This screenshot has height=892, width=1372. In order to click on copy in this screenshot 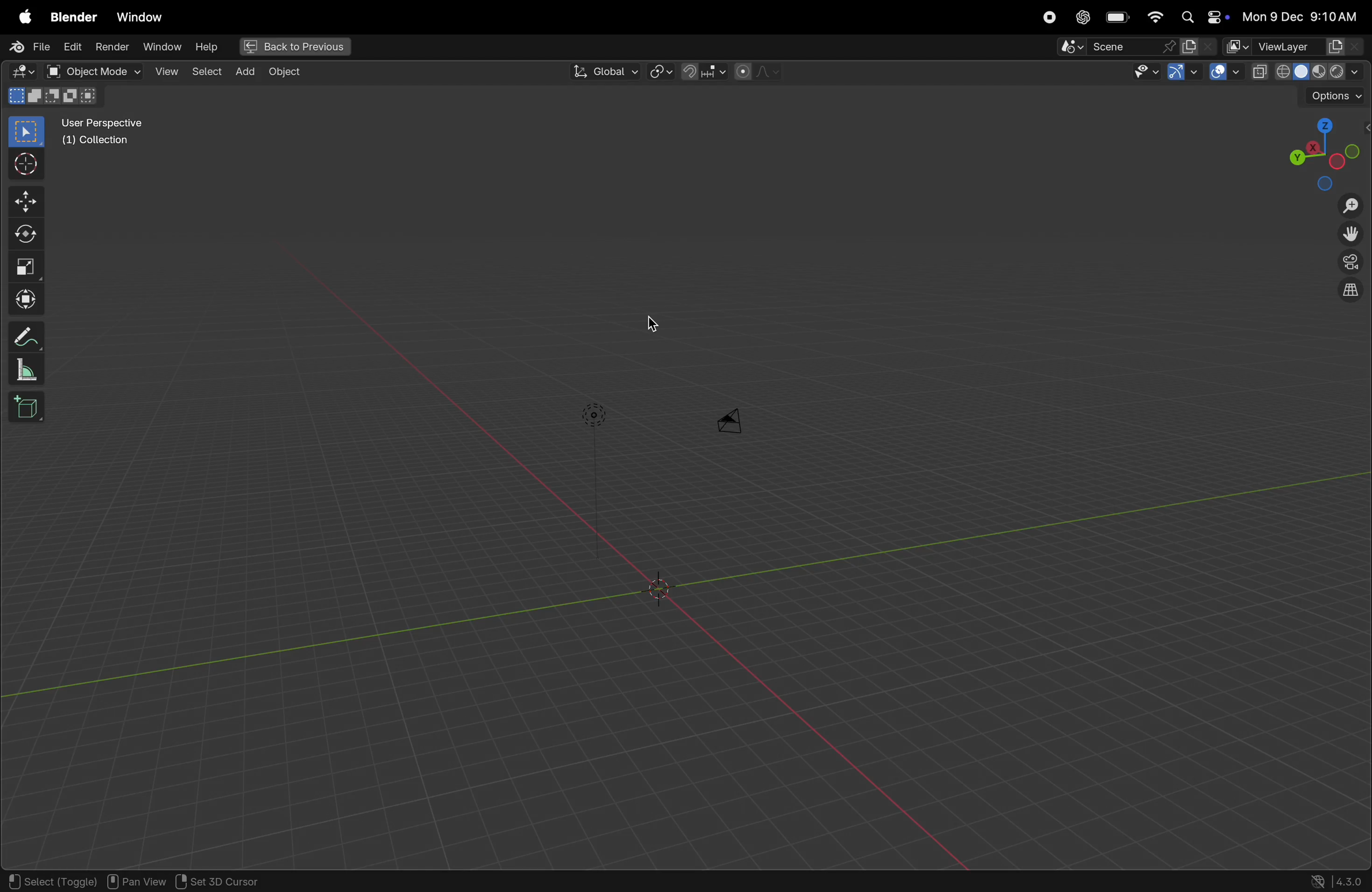, I will do `click(1260, 72)`.